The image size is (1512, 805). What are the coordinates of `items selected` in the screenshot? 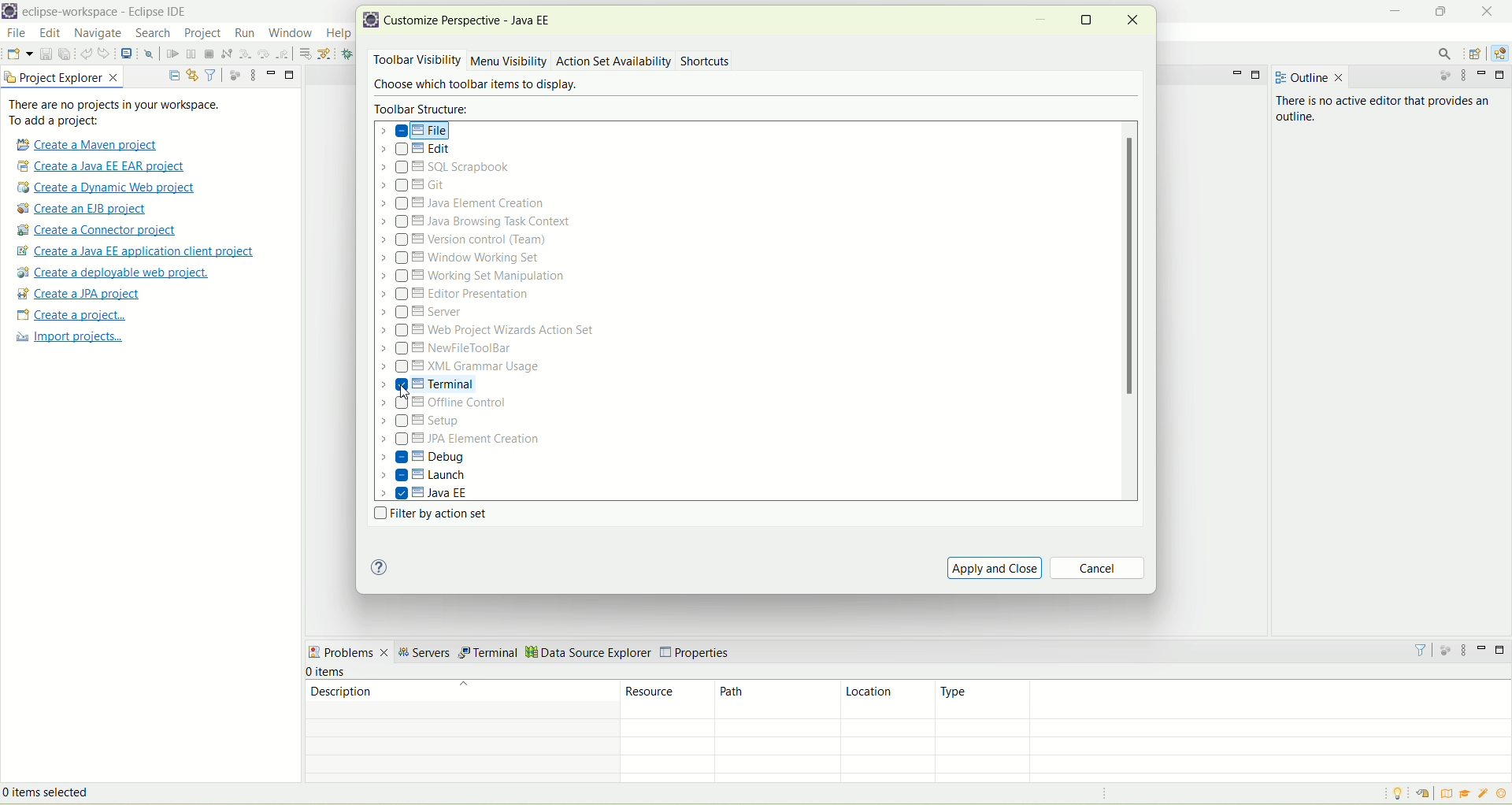 It's located at (70, 791).